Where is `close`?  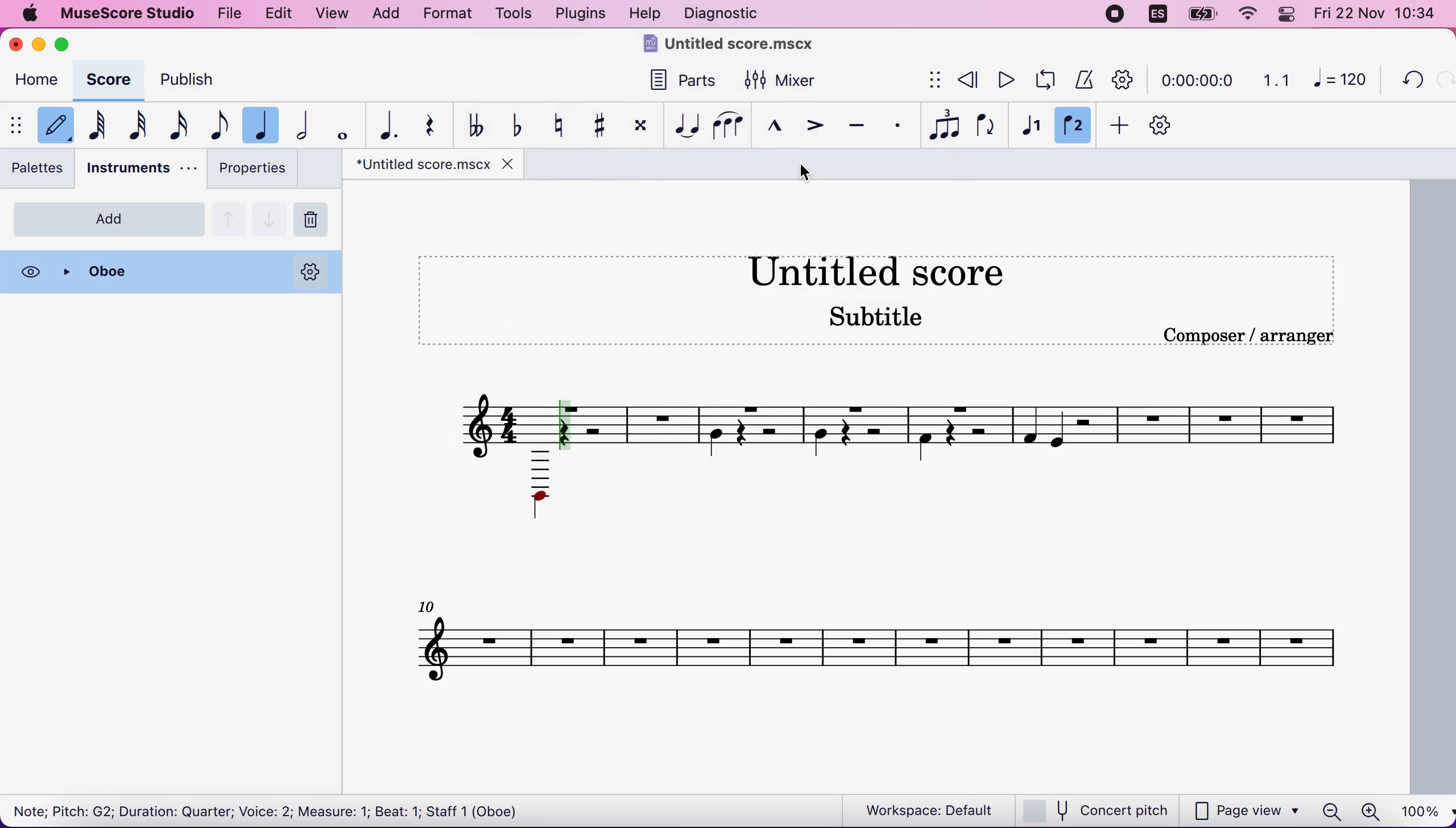
close is located at coordinates (15, 46).